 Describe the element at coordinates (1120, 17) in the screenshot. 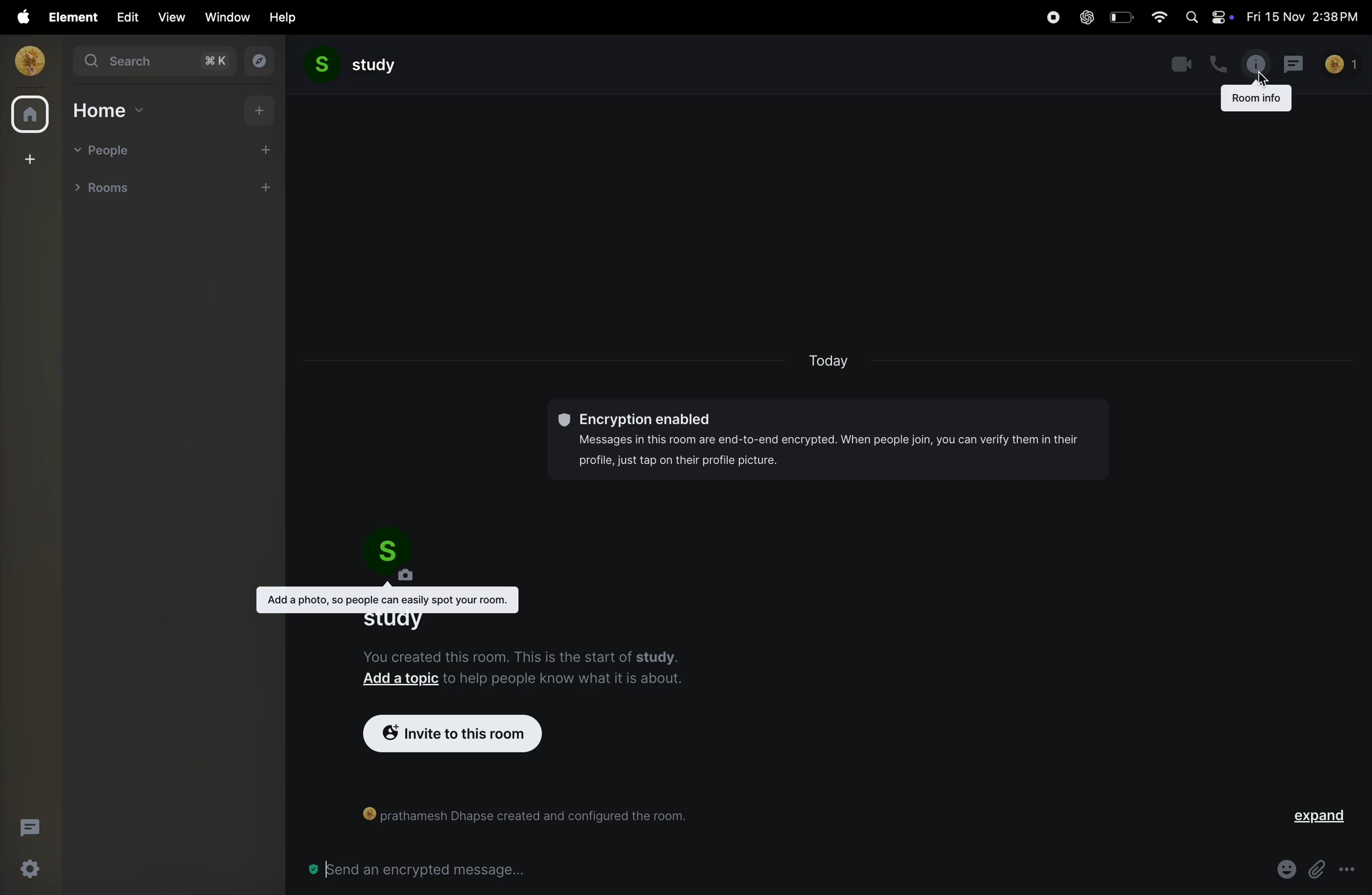

I see `battery` at that location.